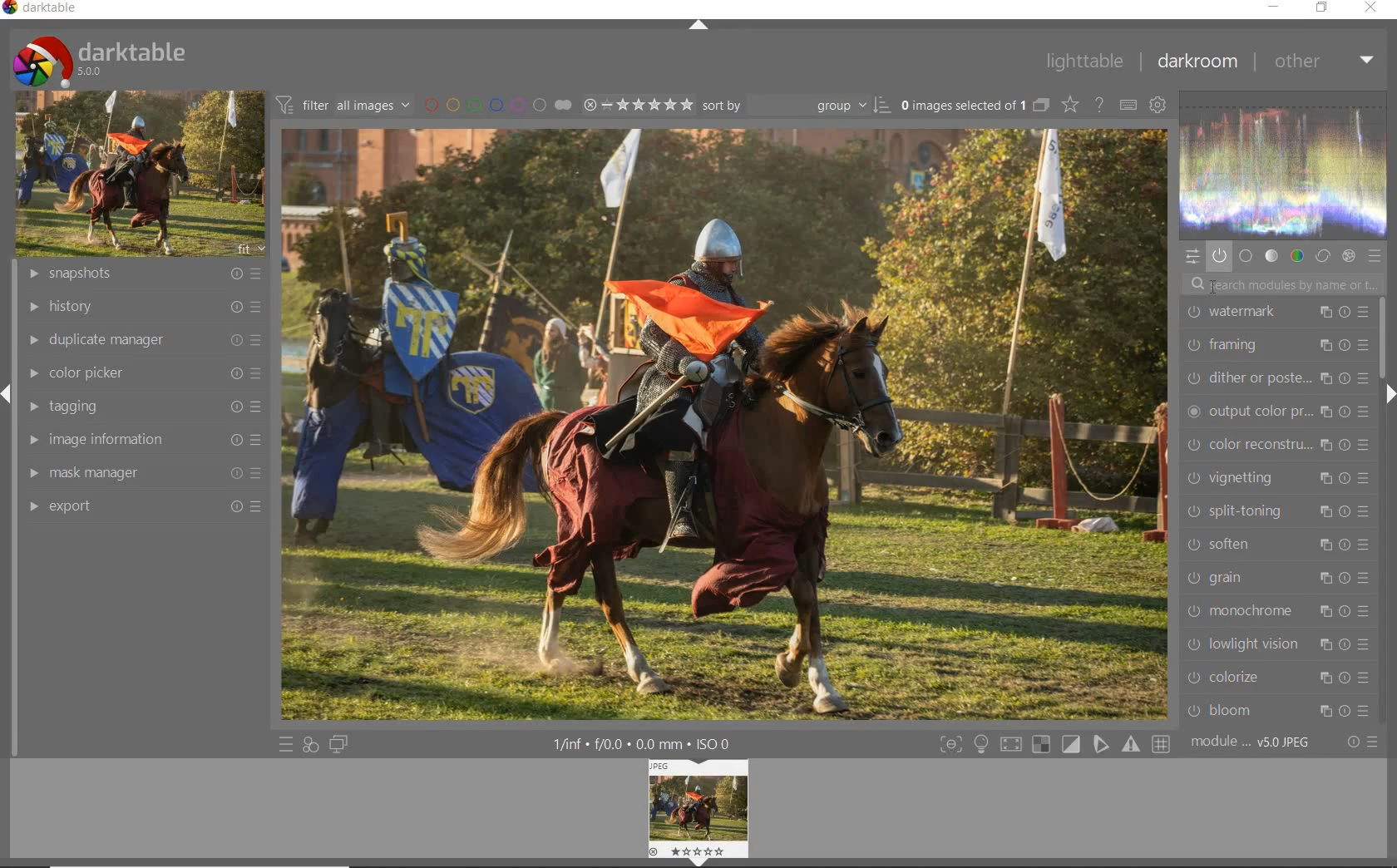 This screenshot has height=868, width=1397. Describe the element at coordinates (1258, 742) in the screenshot. I see `module order` at that location.